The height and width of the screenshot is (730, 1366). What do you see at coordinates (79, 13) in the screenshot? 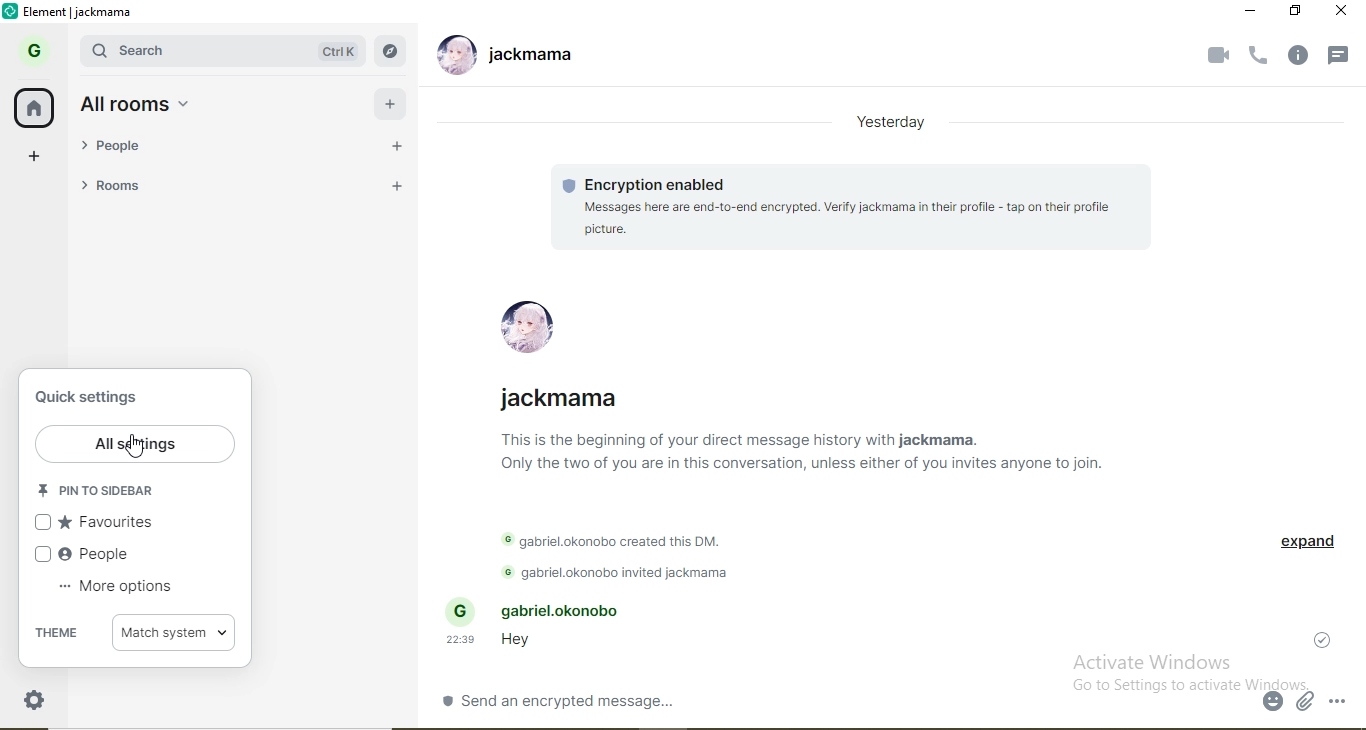
I see `element` at bounding box center [79, 13].